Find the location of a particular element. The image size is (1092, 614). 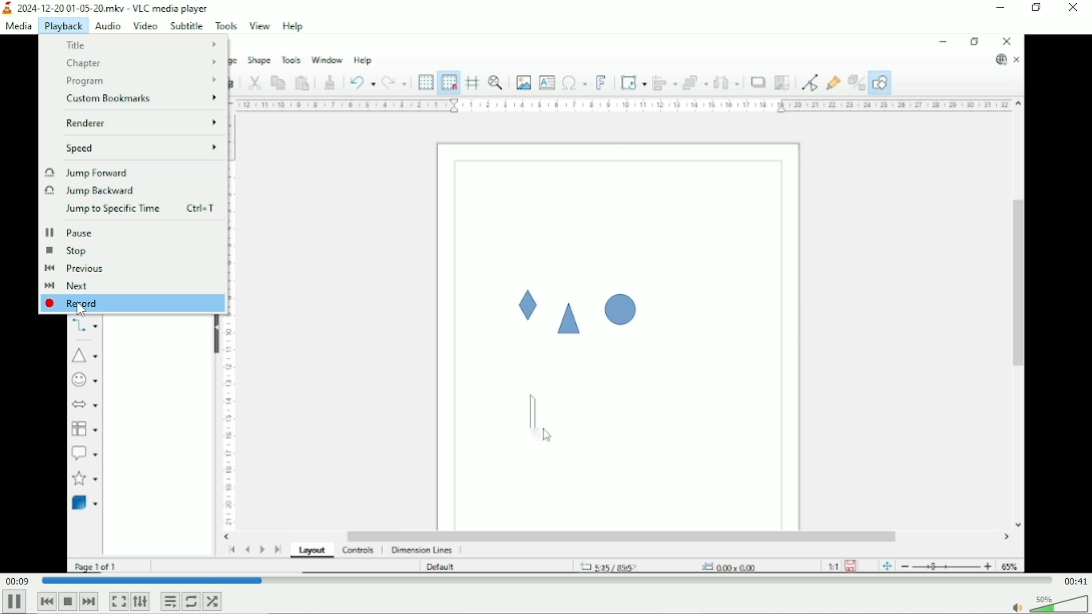

Tools is located at coordinates (226, 25).